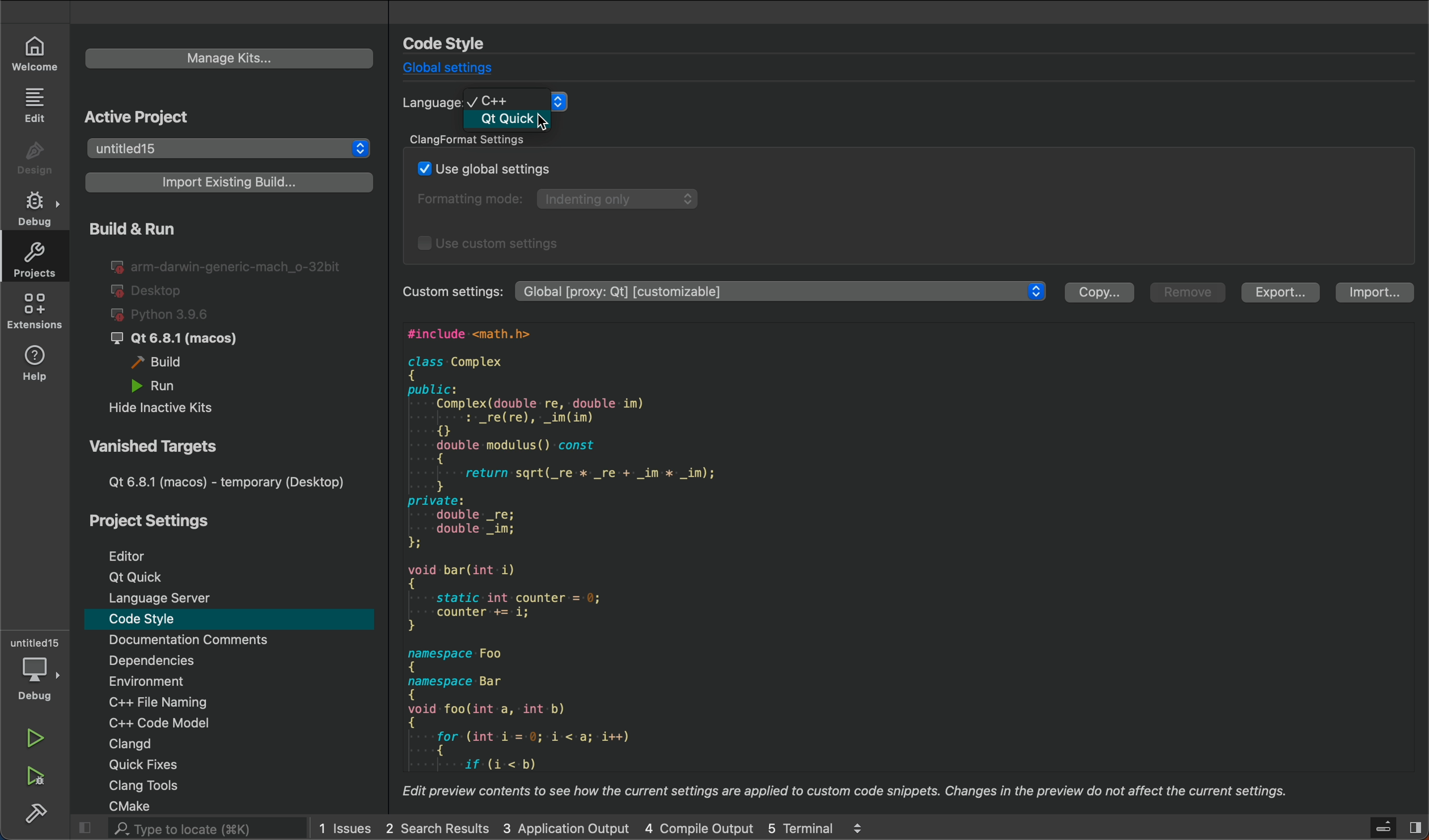 This screenshot has height=840, width=1429. I want to click on copy, so click(1098, 293).